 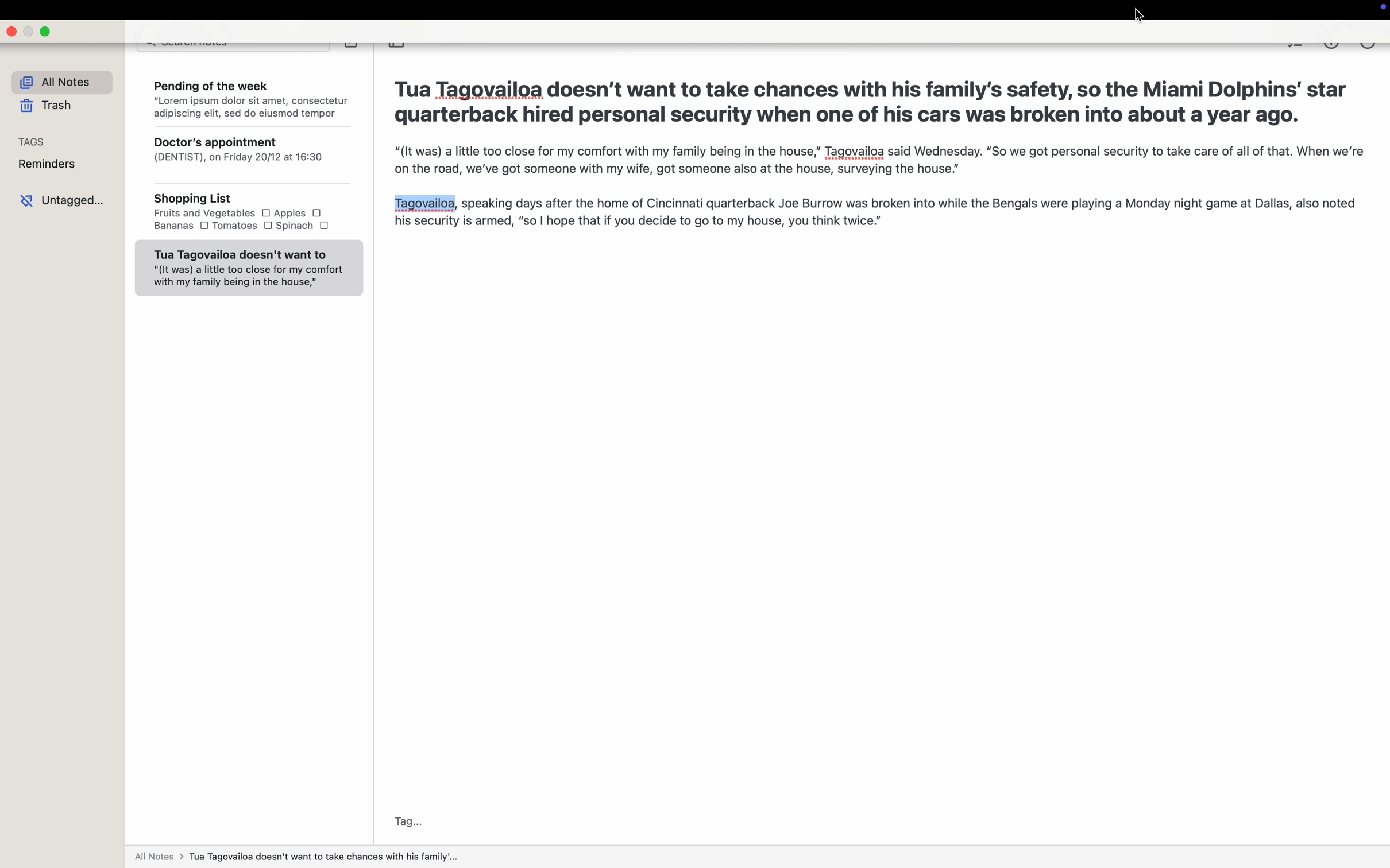 What do you see at coordinates (47, 33) in the screenshot?
I see `maximize app` at bounding box center [47, 33].